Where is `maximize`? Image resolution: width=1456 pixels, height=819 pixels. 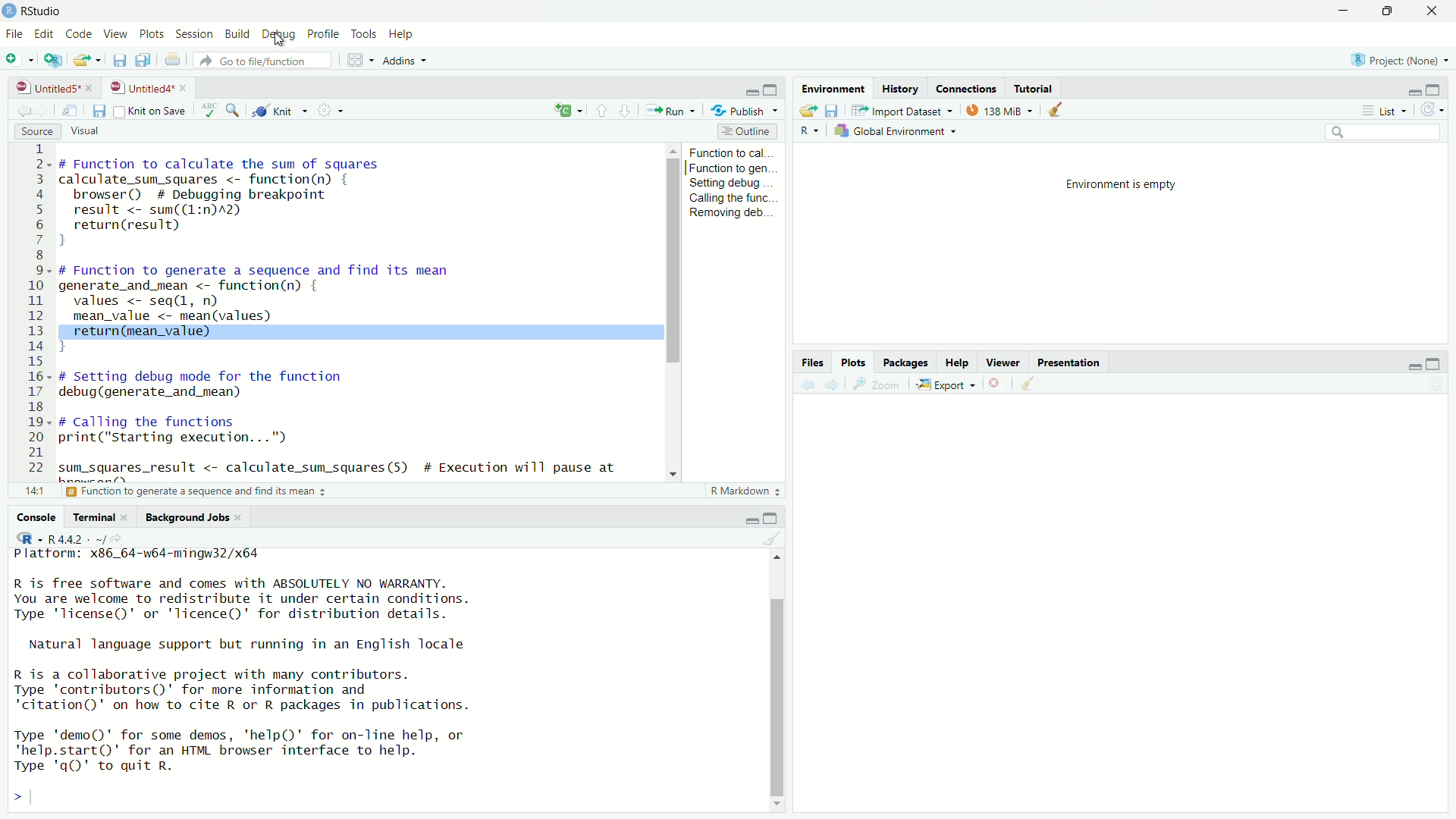
maximize is located at coordinates (773, 516).